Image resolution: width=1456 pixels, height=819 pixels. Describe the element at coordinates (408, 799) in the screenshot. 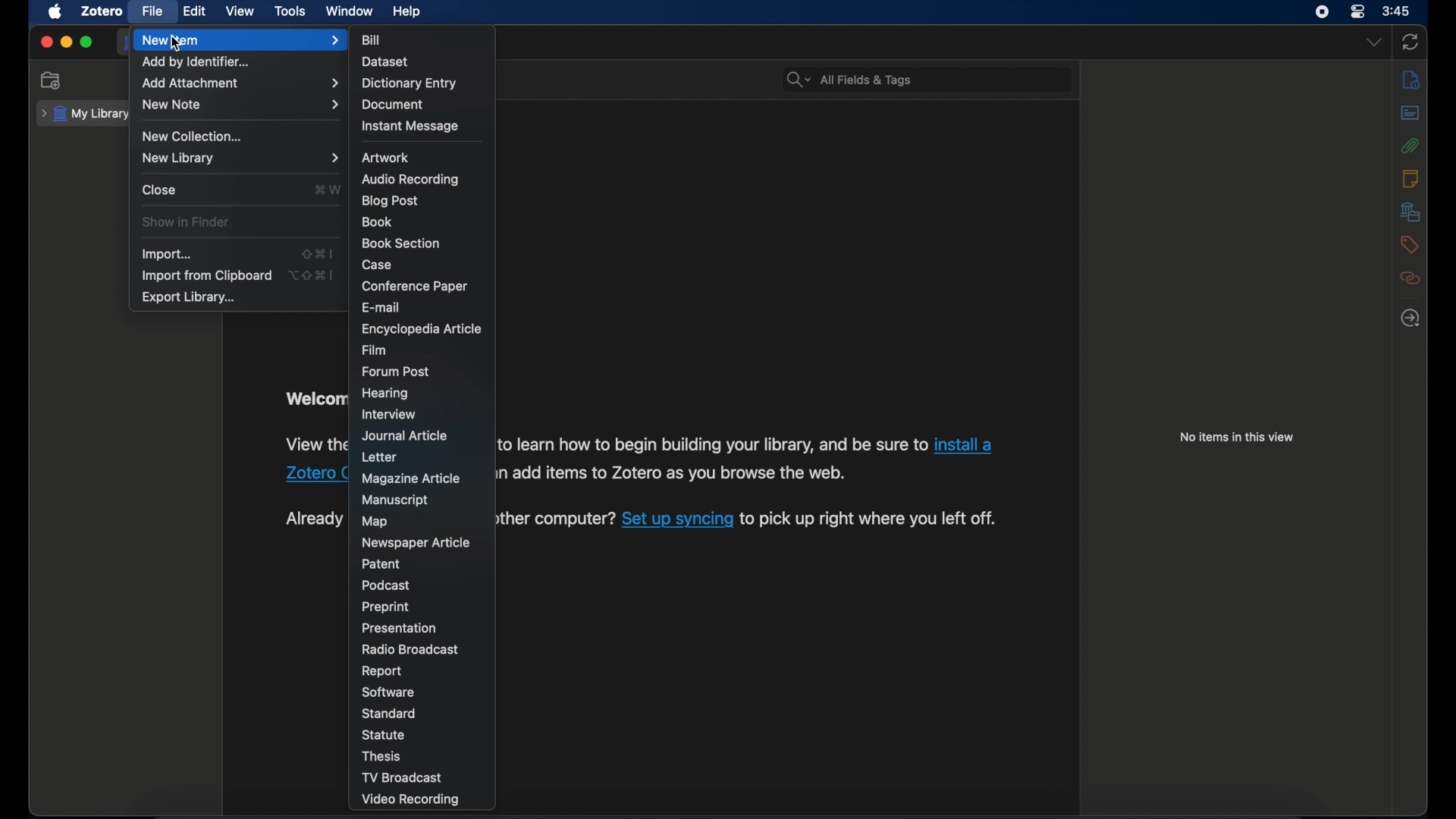

I see `video recording` at that location.